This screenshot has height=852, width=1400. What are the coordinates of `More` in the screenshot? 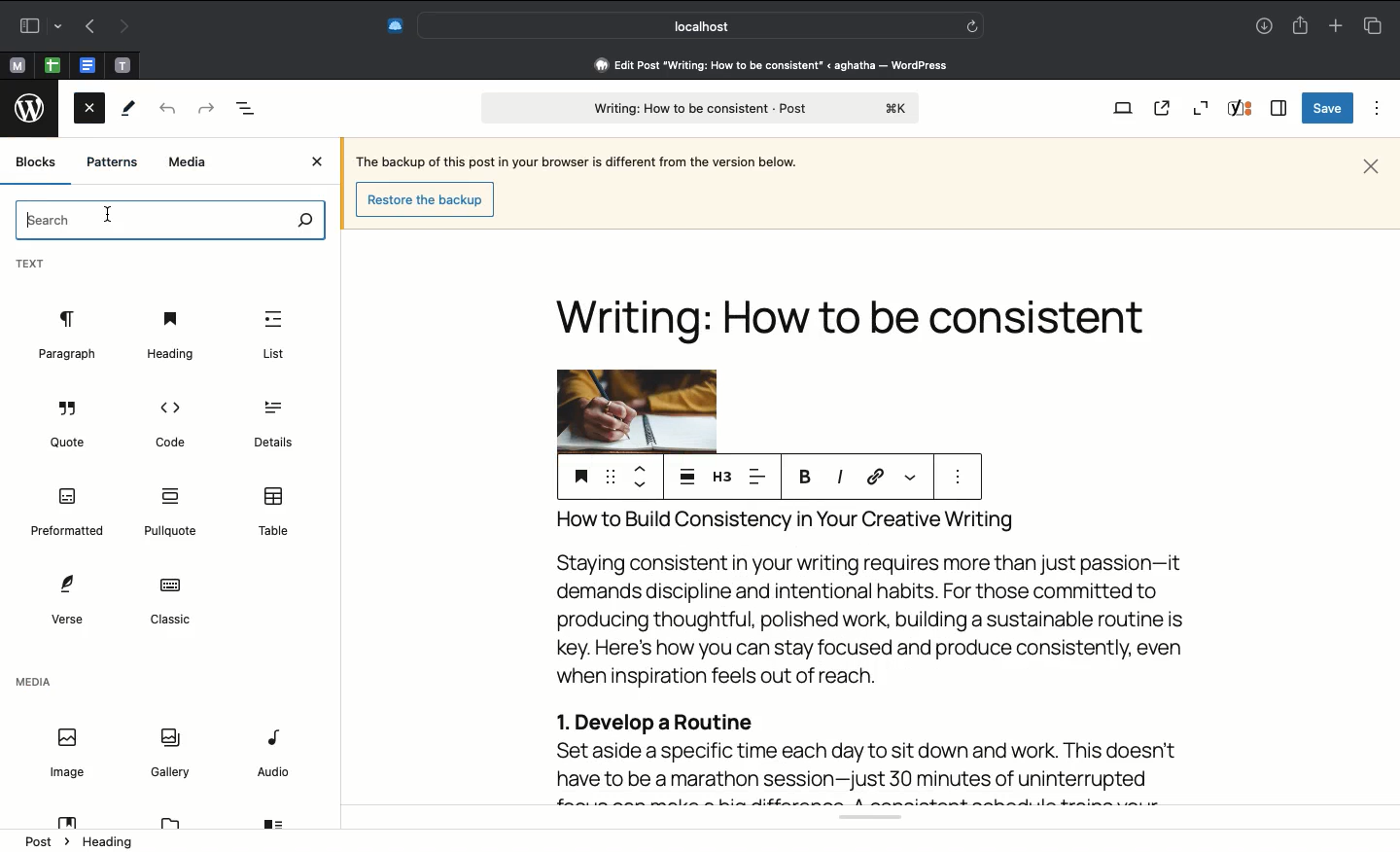 It's located at (912, 478).